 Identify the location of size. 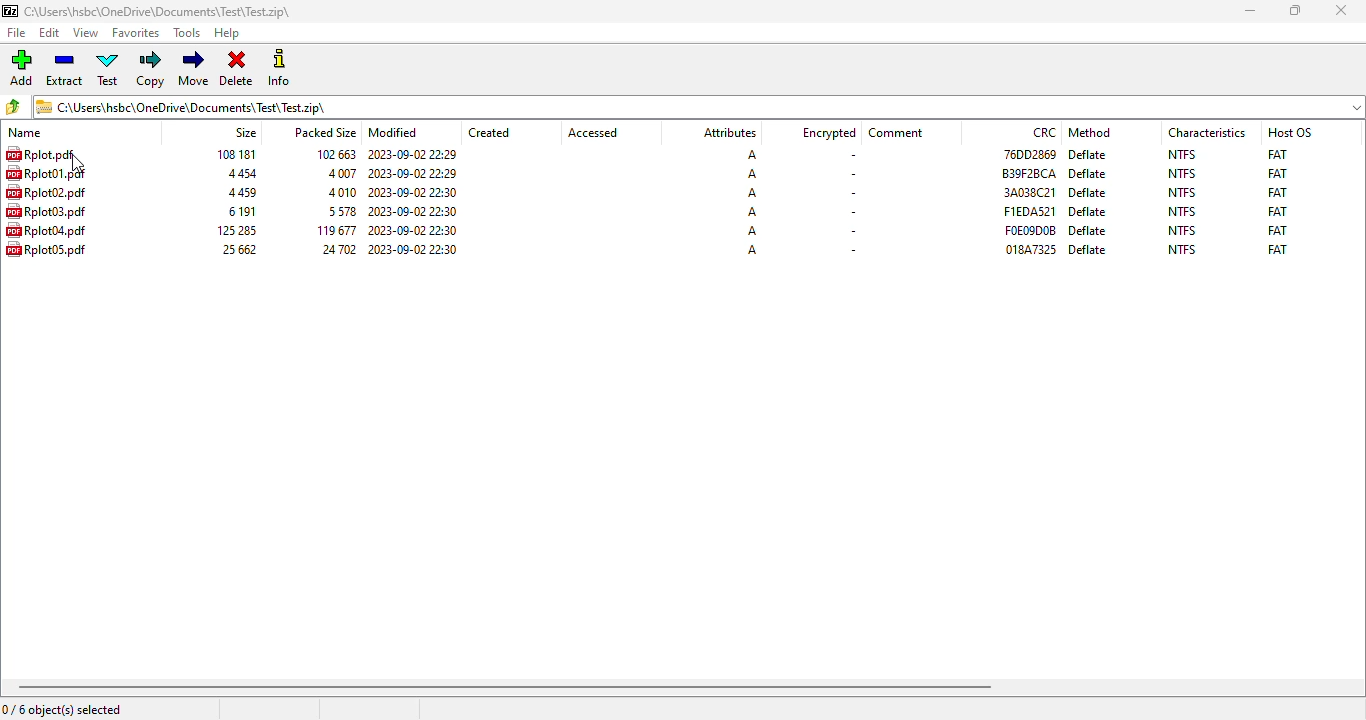
(235, 154).